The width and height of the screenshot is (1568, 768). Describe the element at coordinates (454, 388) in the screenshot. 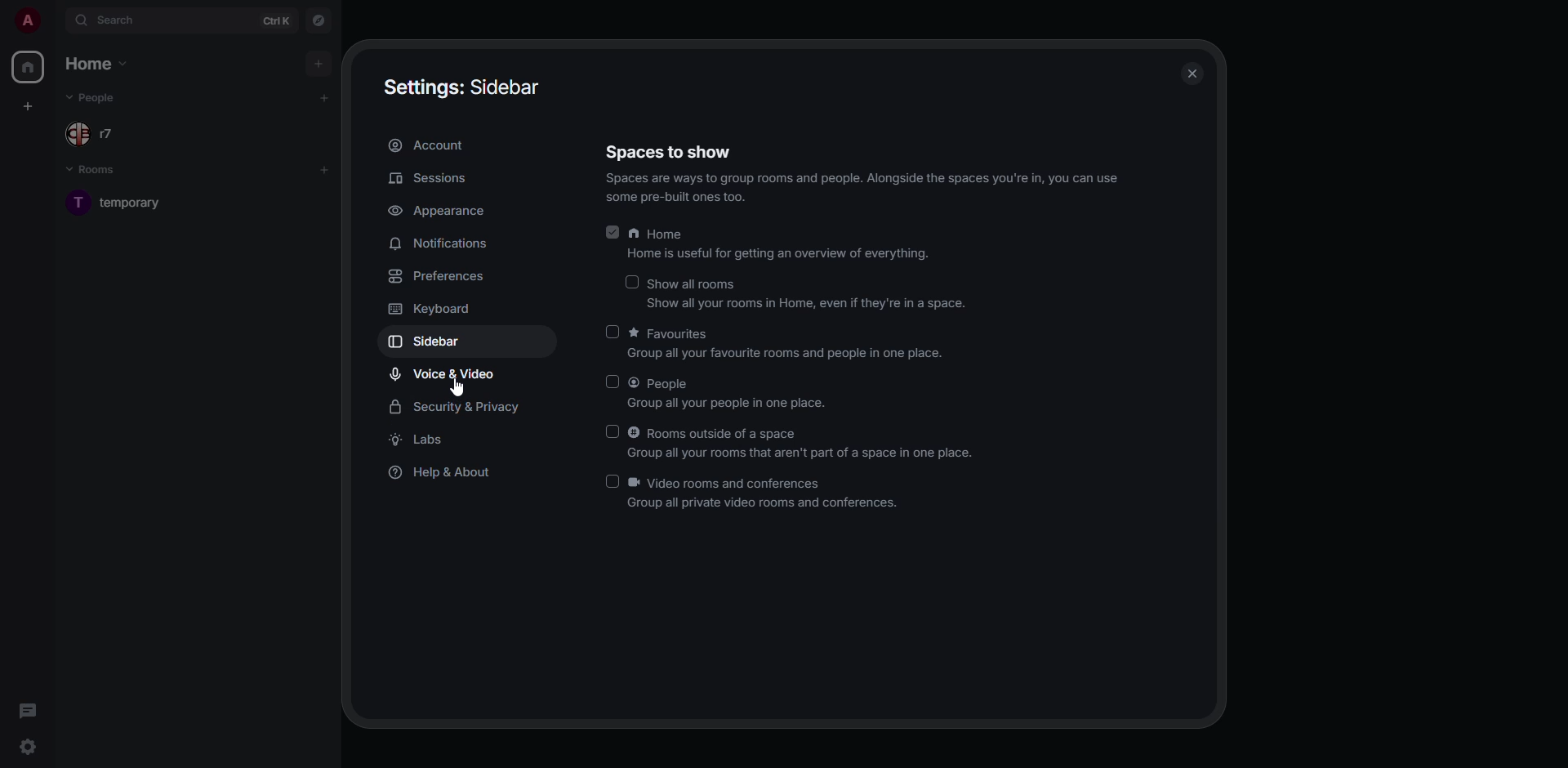

I see `cursor` at that location.